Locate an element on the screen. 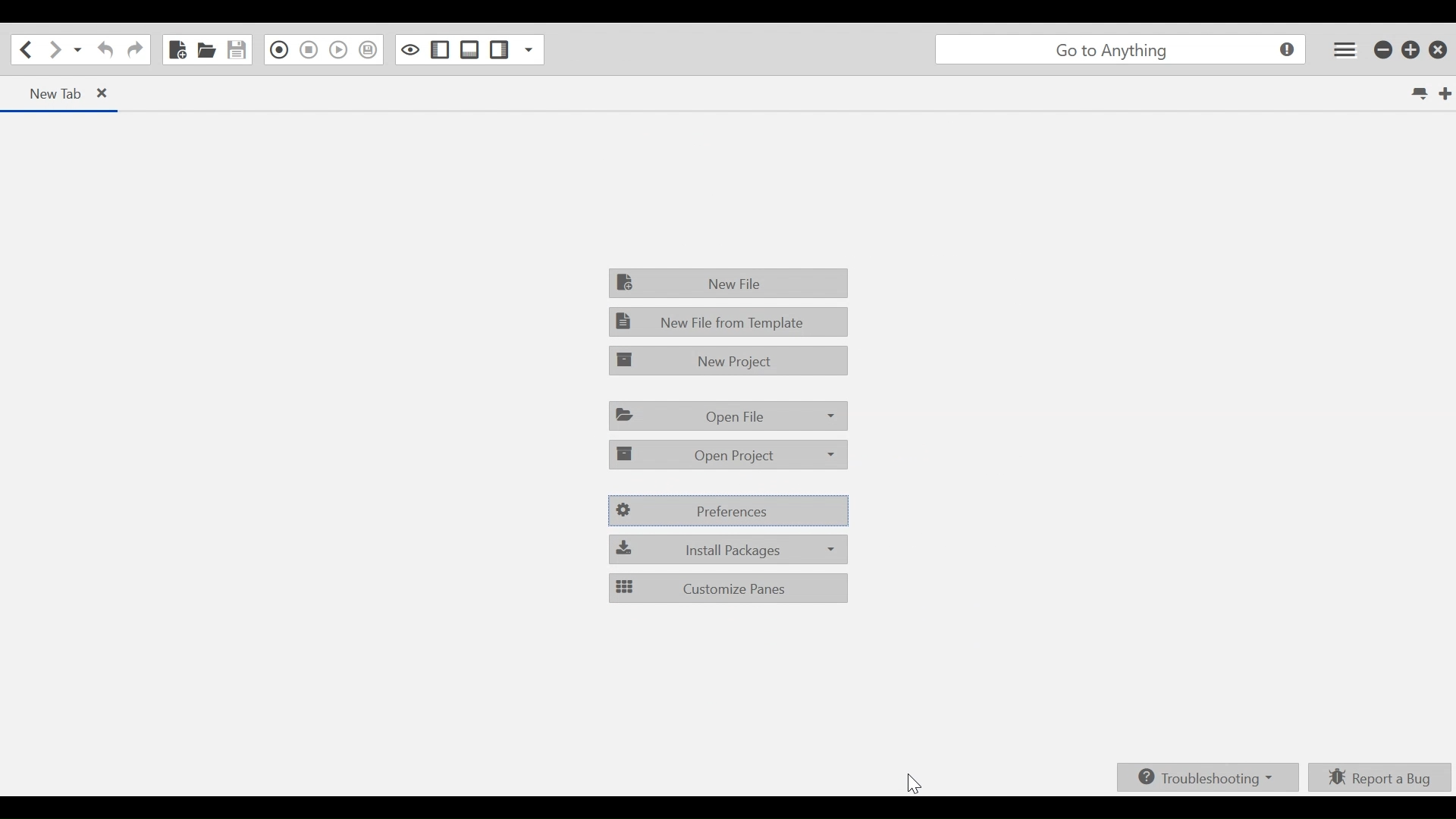  List all tabs is located at coordinates (1420, 92).